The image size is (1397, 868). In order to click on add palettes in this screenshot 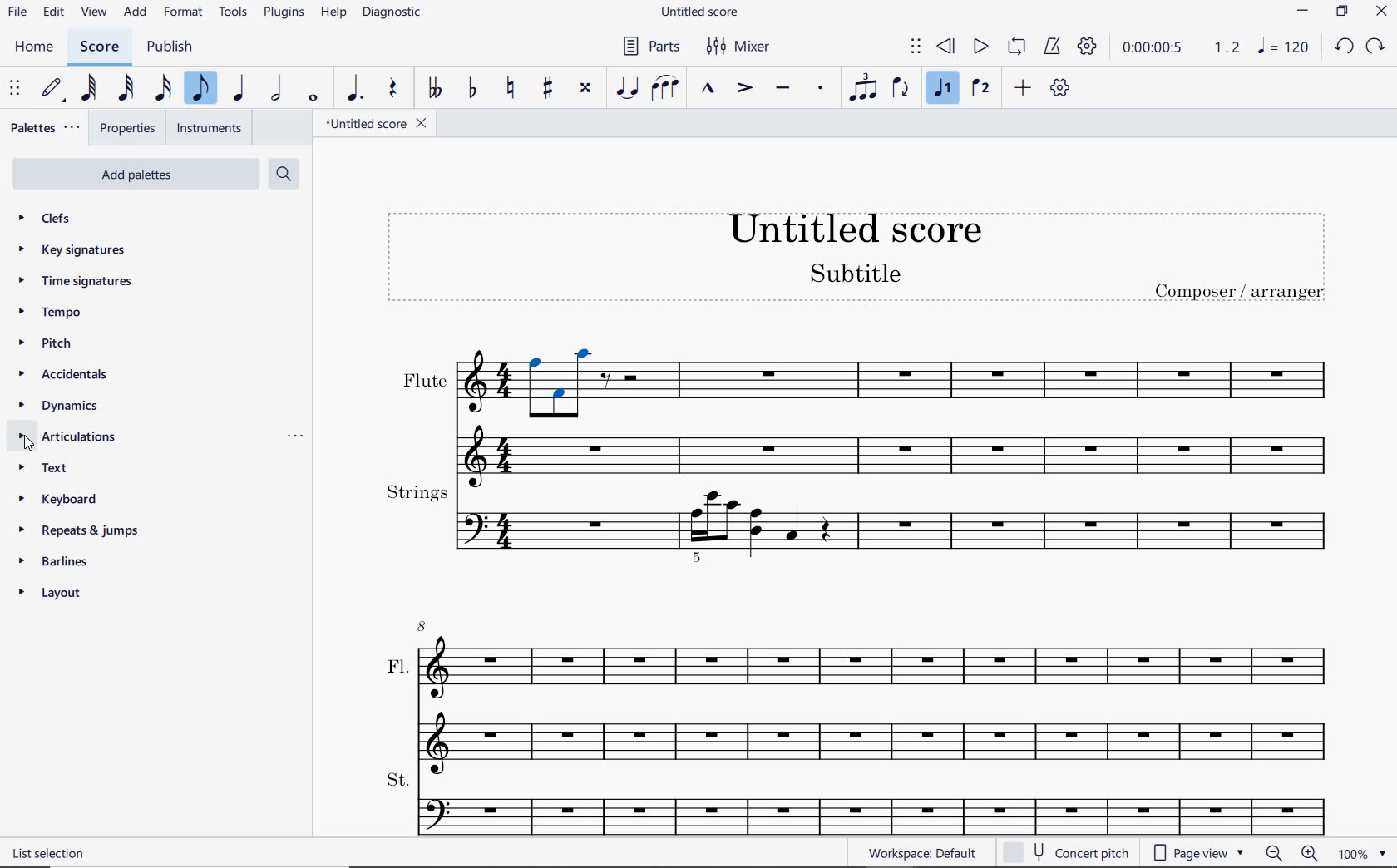, I will do `click(142, 173)`.